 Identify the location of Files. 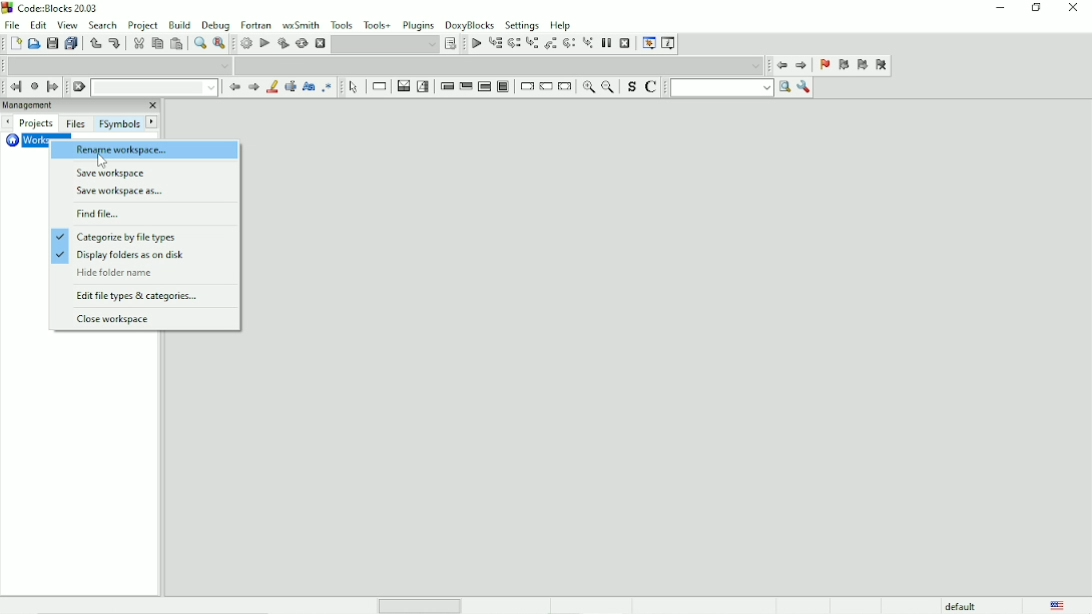
(75, 124).